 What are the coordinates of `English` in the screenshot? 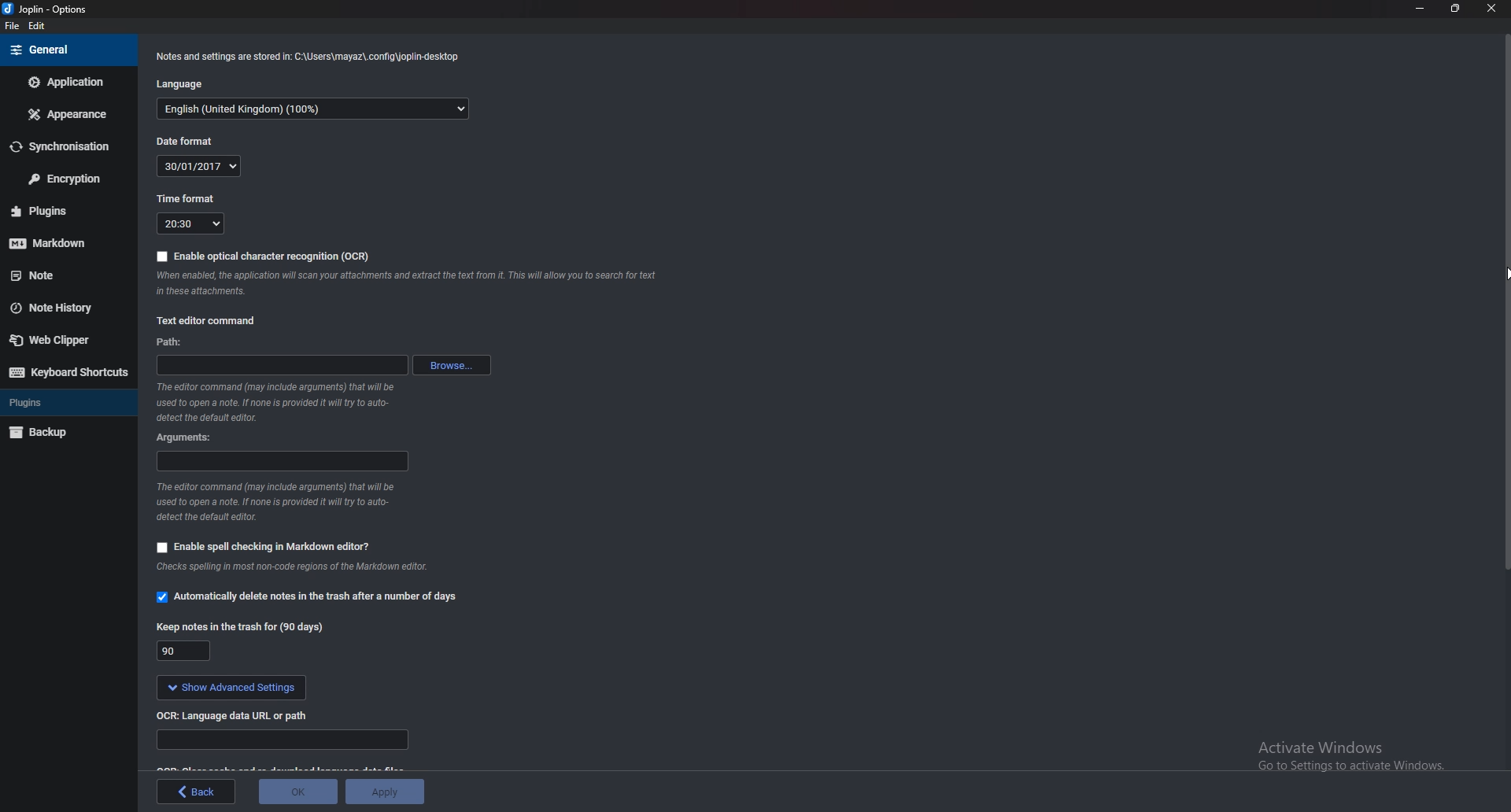 It's located at (314, 109).